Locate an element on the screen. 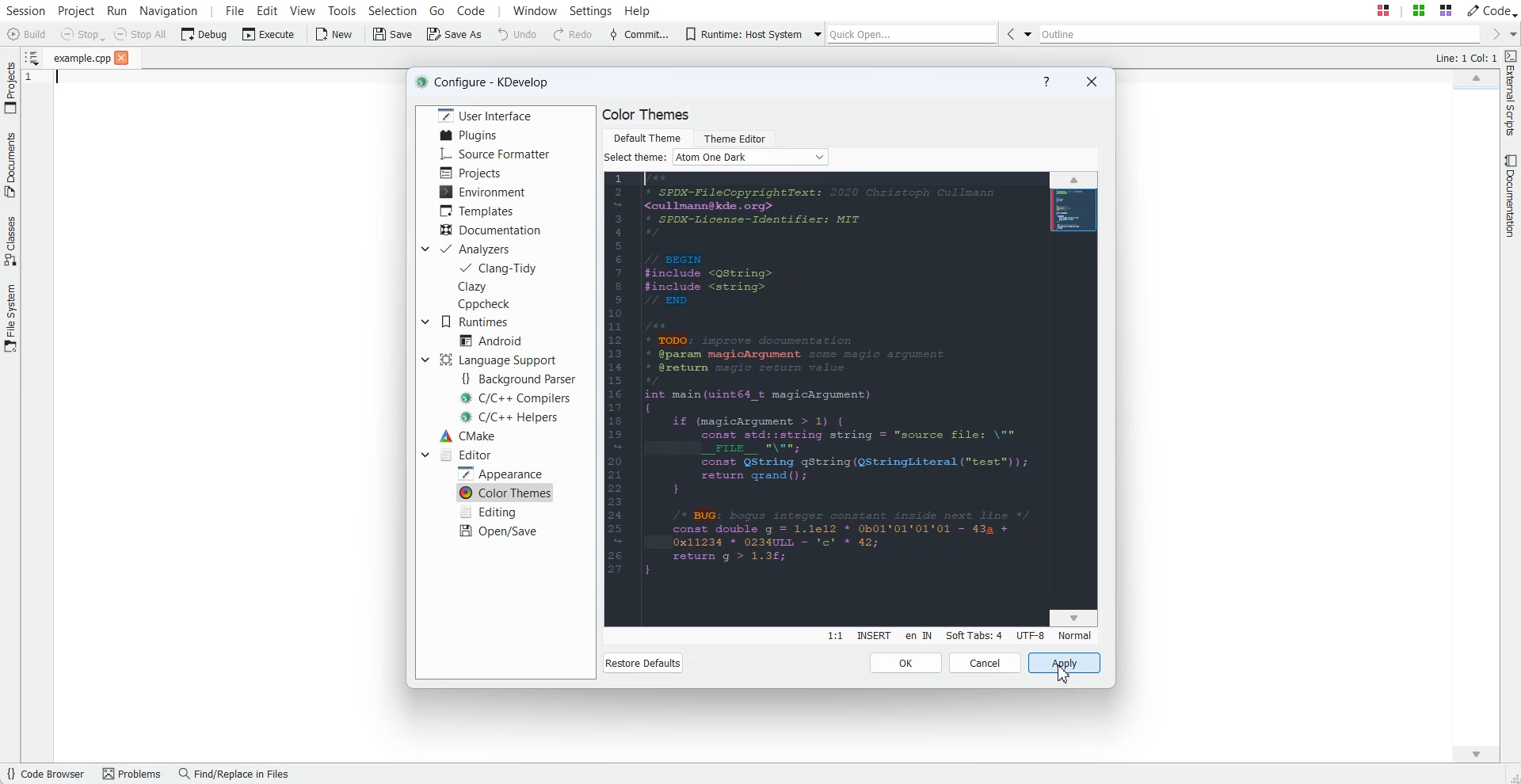 This screenshot has width=1521, height=784. OK is located at coordinates (906, 663).